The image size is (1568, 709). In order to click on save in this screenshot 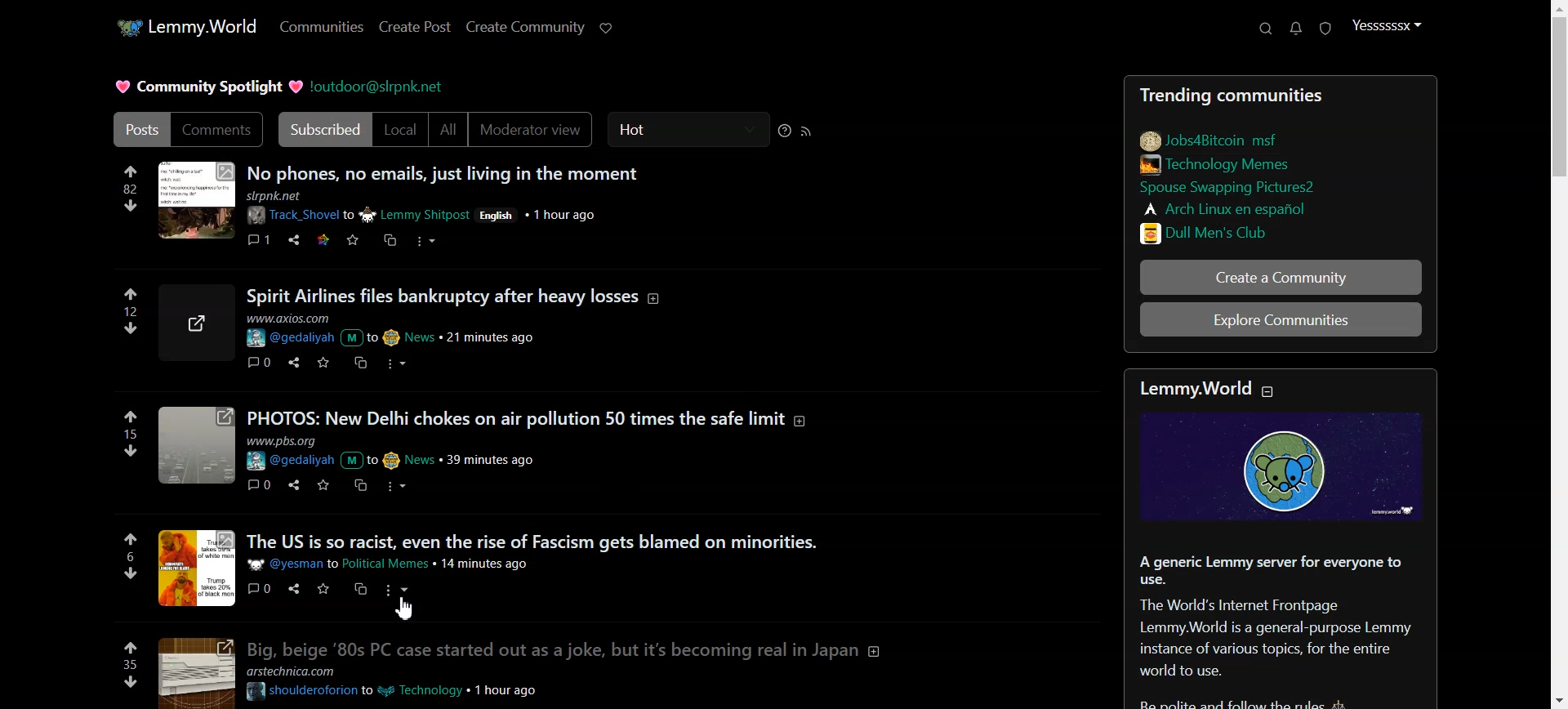, I will do `click(321, 362)`.